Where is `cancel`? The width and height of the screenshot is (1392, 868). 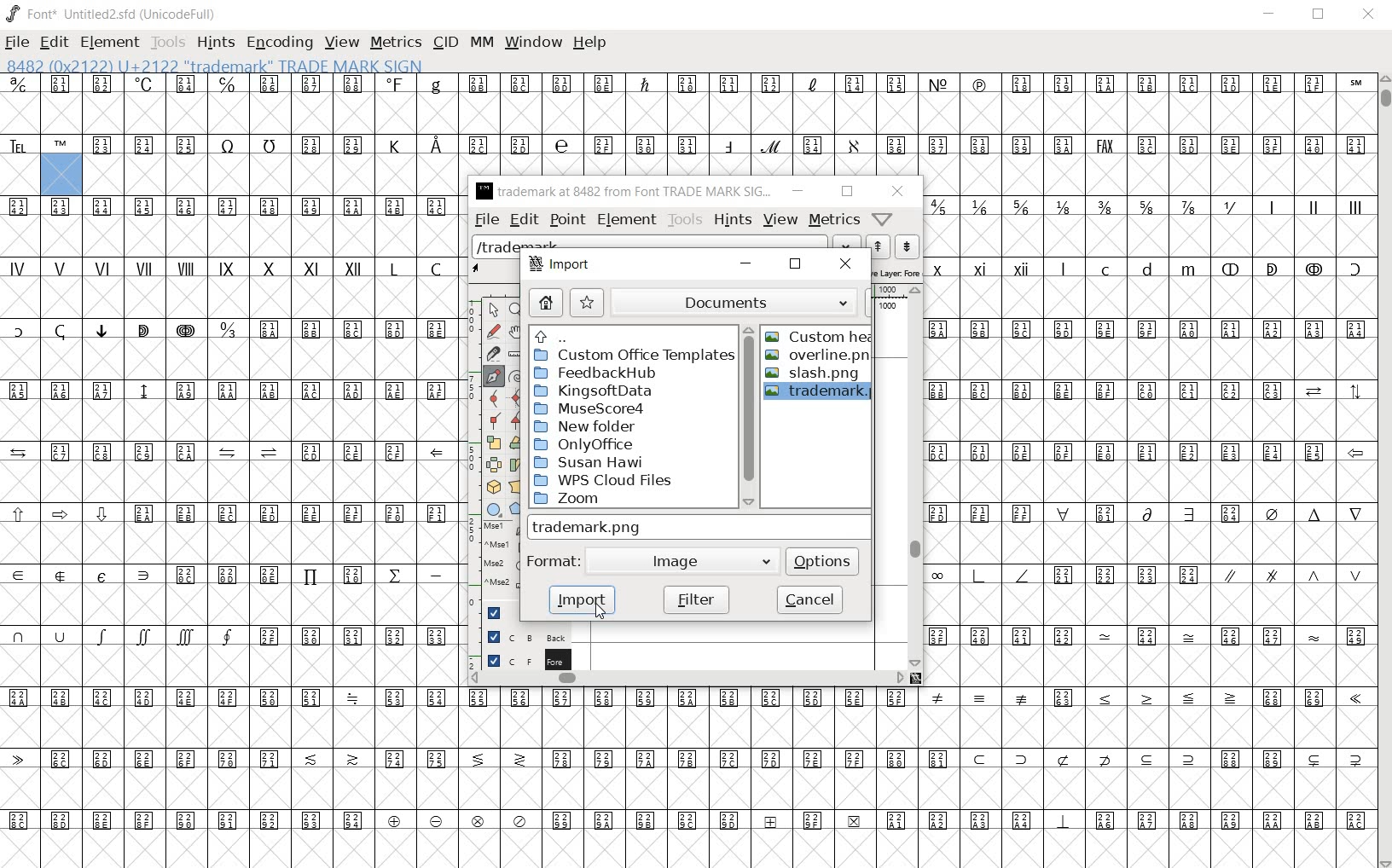 cancel is located at coordinates (813, 601).